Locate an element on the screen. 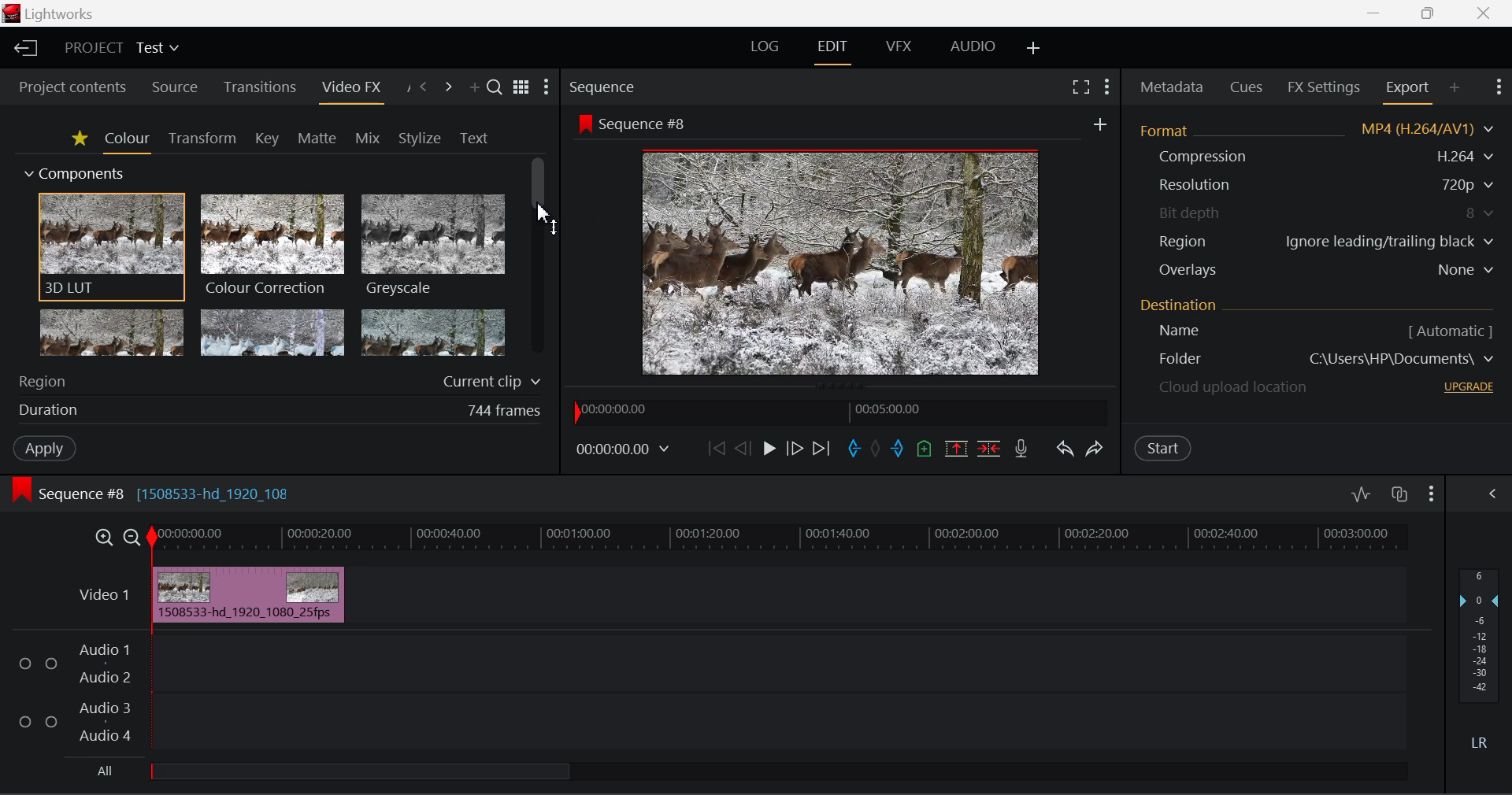 The height and width of the screenshot is (795, 1512). Transform is located at coordinates (199, 137).